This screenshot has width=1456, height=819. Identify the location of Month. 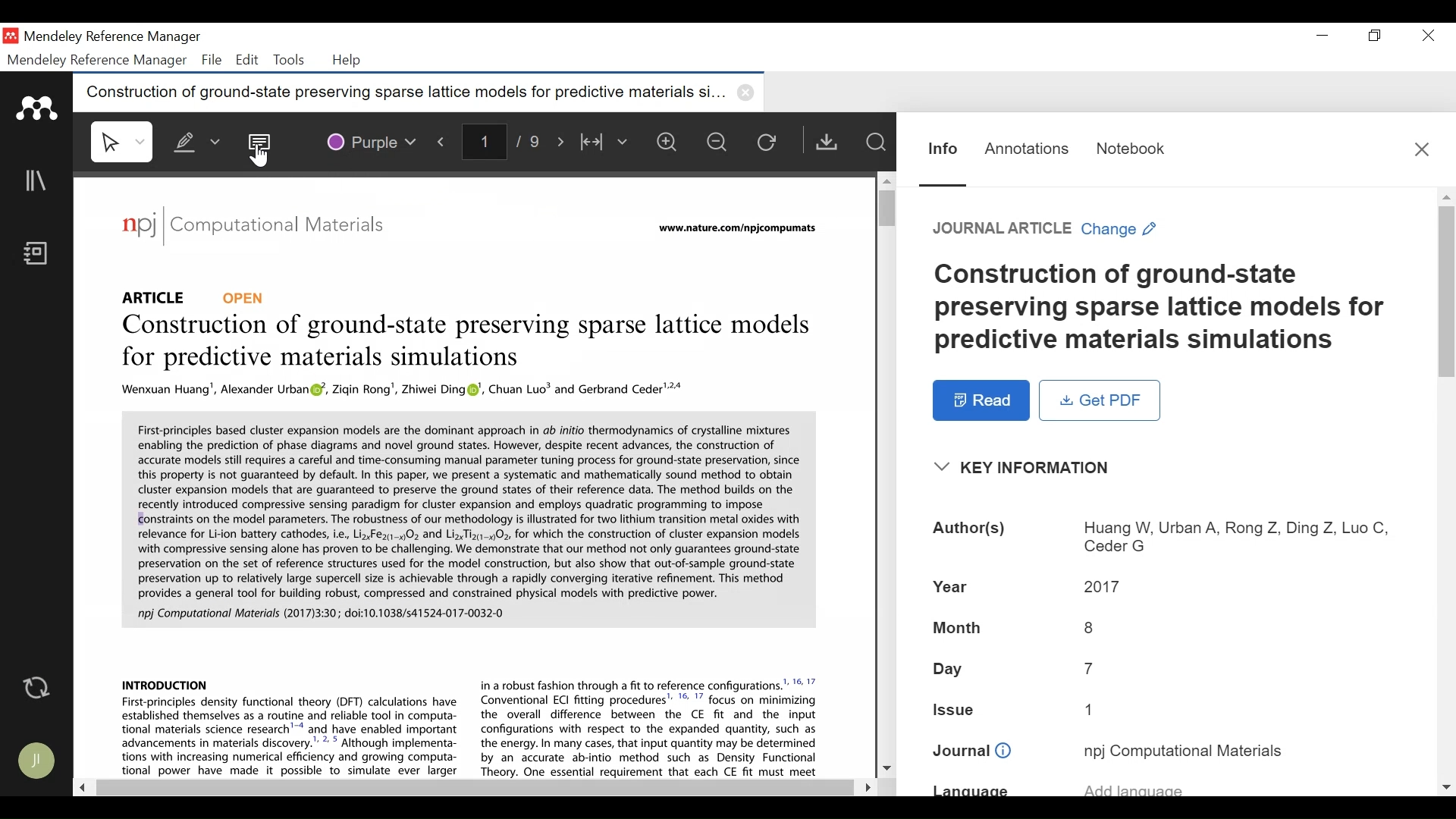
(1163, 627).